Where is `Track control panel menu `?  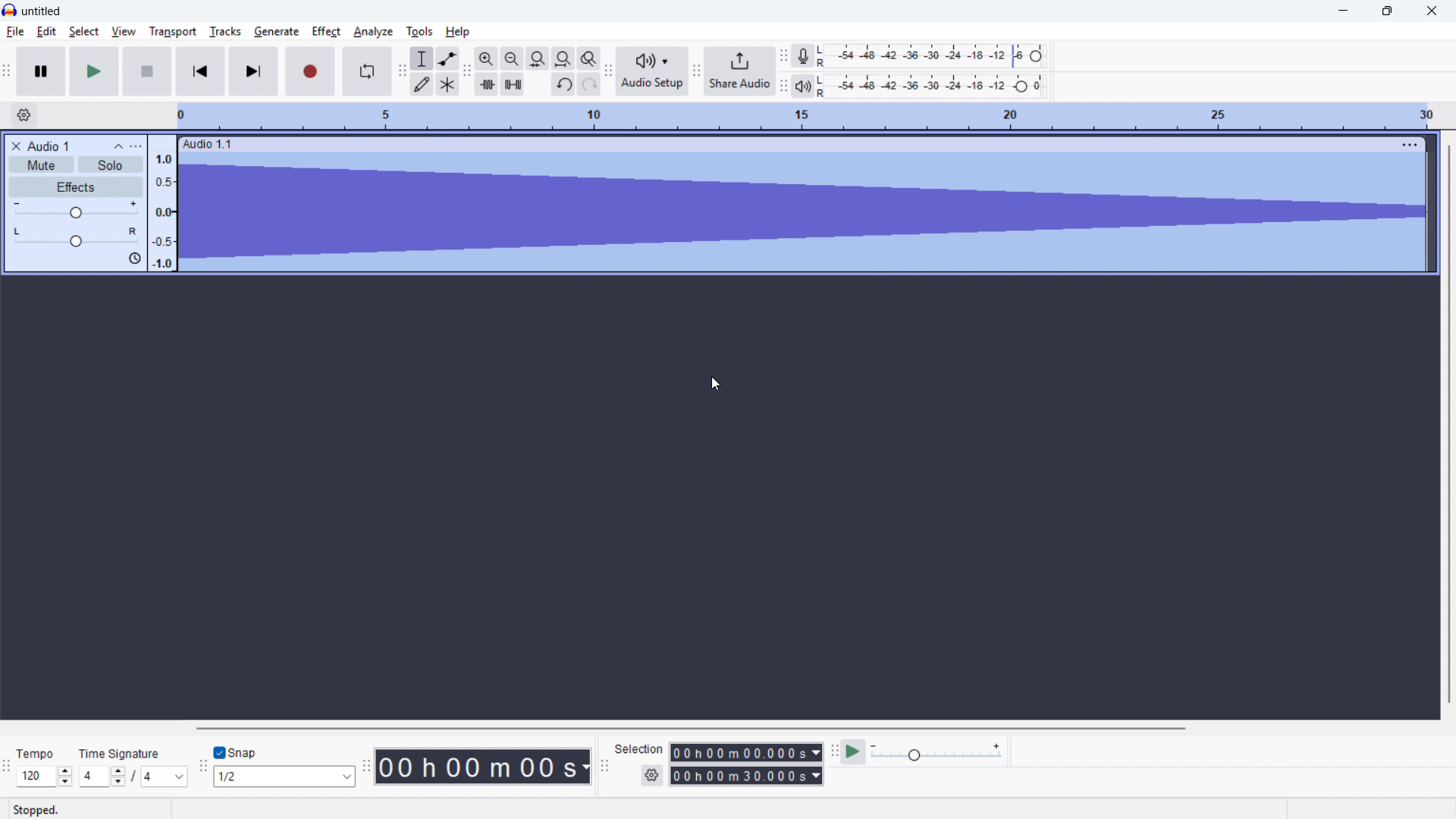
Track control panel menu  is located at coordinates (135, 146).